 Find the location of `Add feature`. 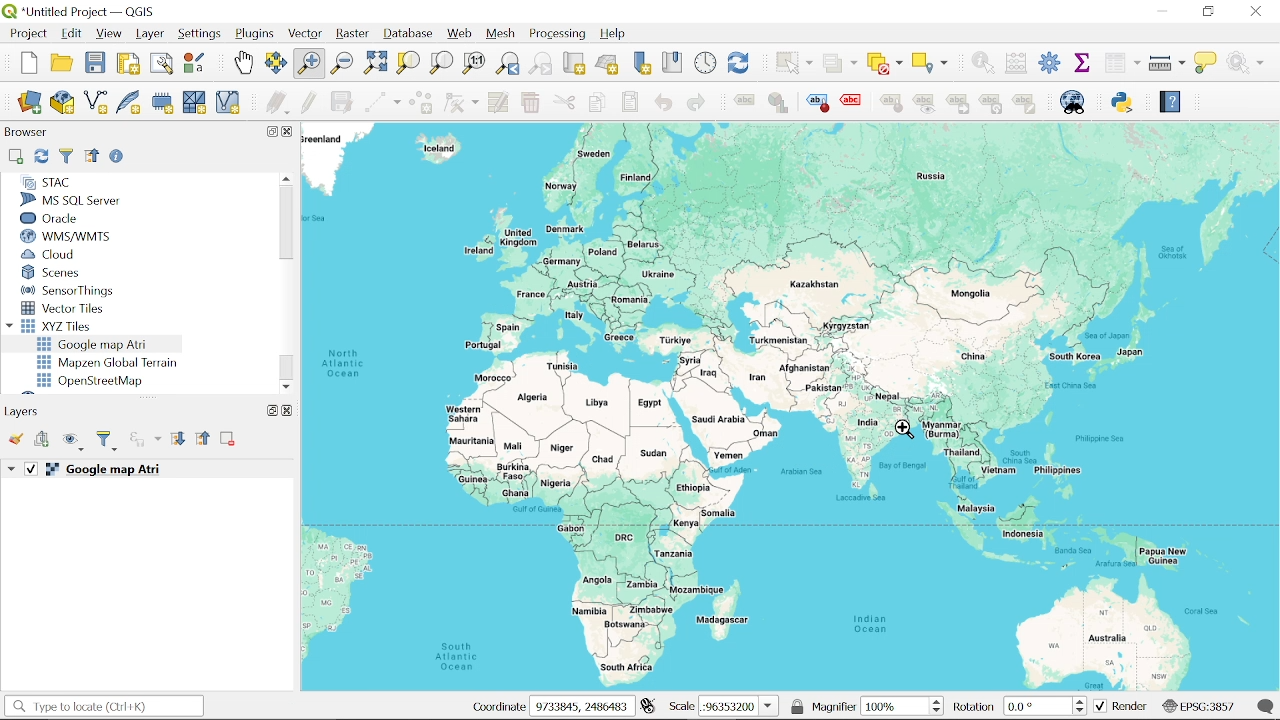

Add feature is located at coordinates (420, 104).